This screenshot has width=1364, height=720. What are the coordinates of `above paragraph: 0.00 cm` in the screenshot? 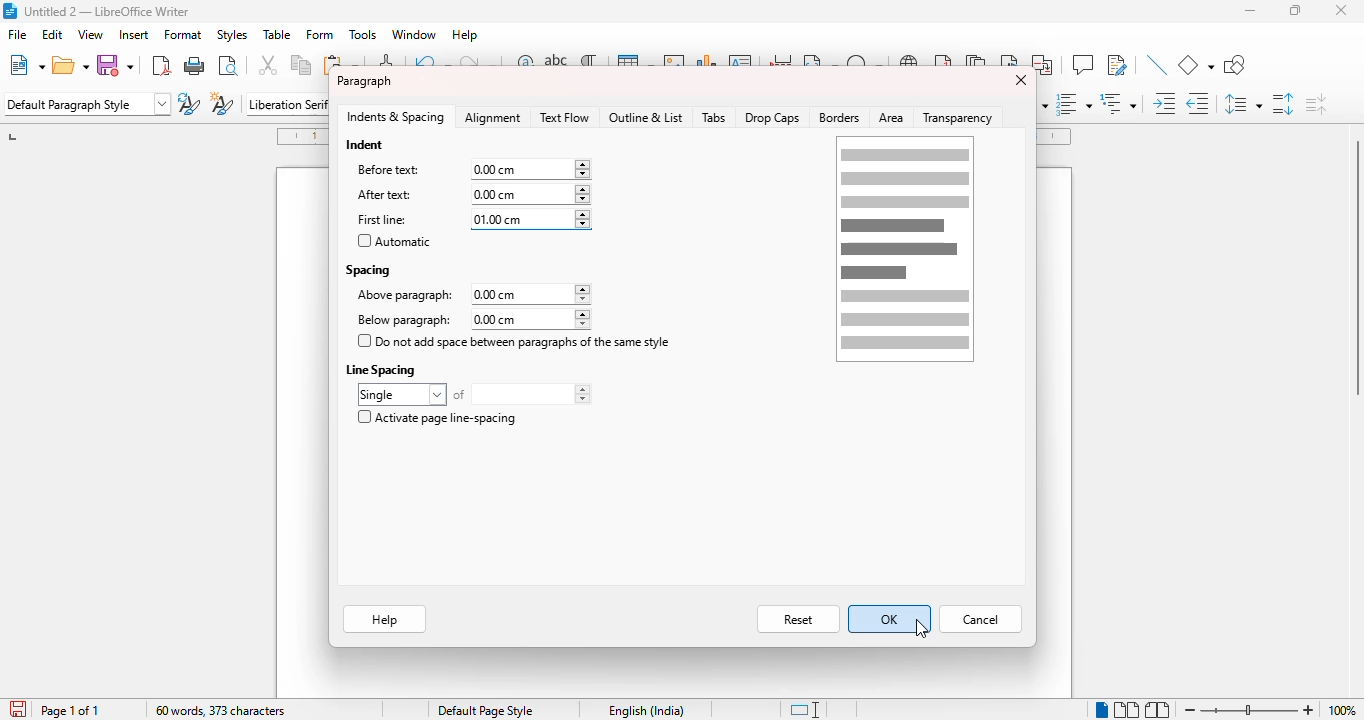 It's located at (472, 295).